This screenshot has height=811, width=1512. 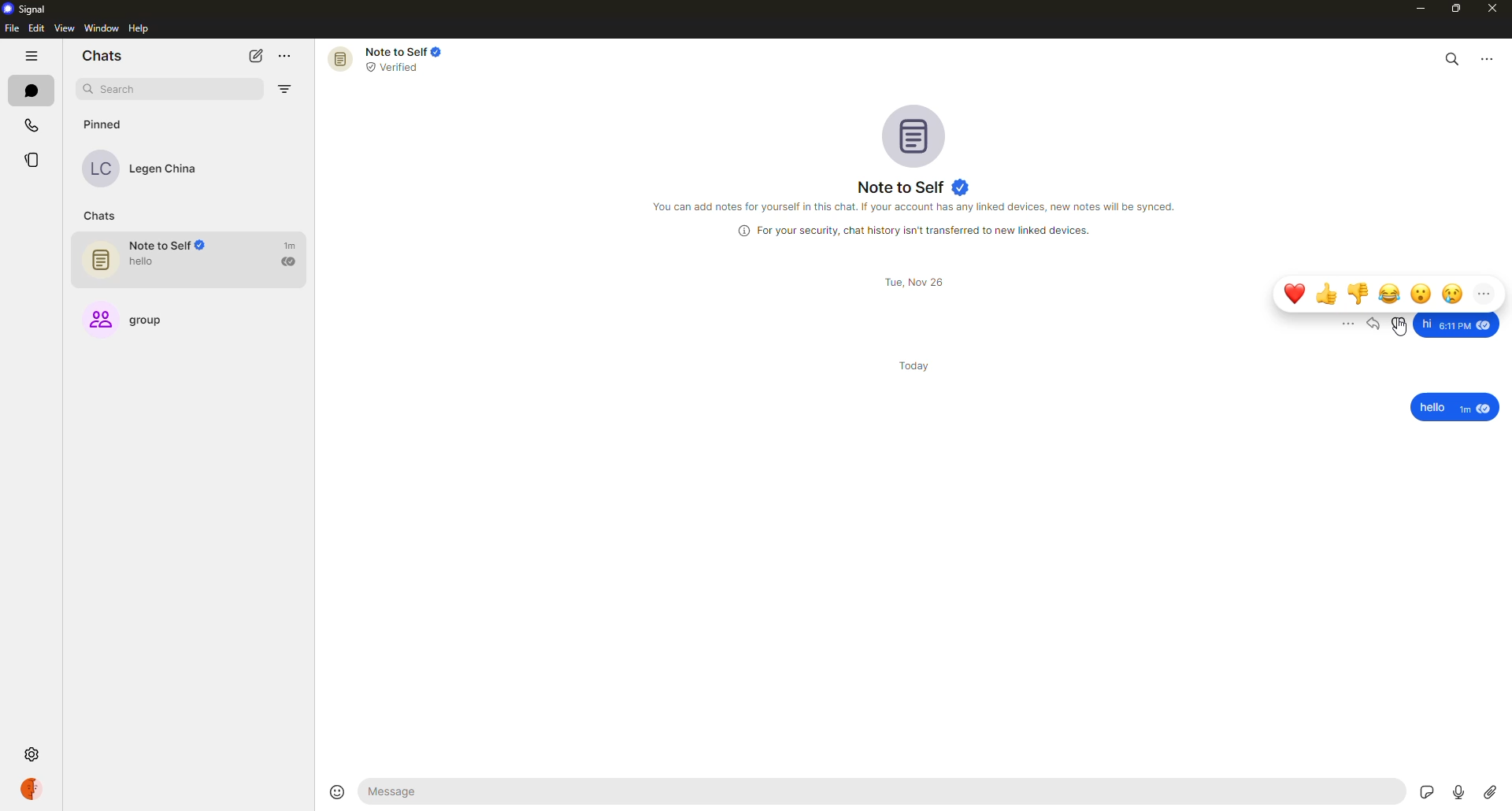 What do you see at coordinates (288, 57) in the screenshot?
I see `more` at bounding box center [288, 57].